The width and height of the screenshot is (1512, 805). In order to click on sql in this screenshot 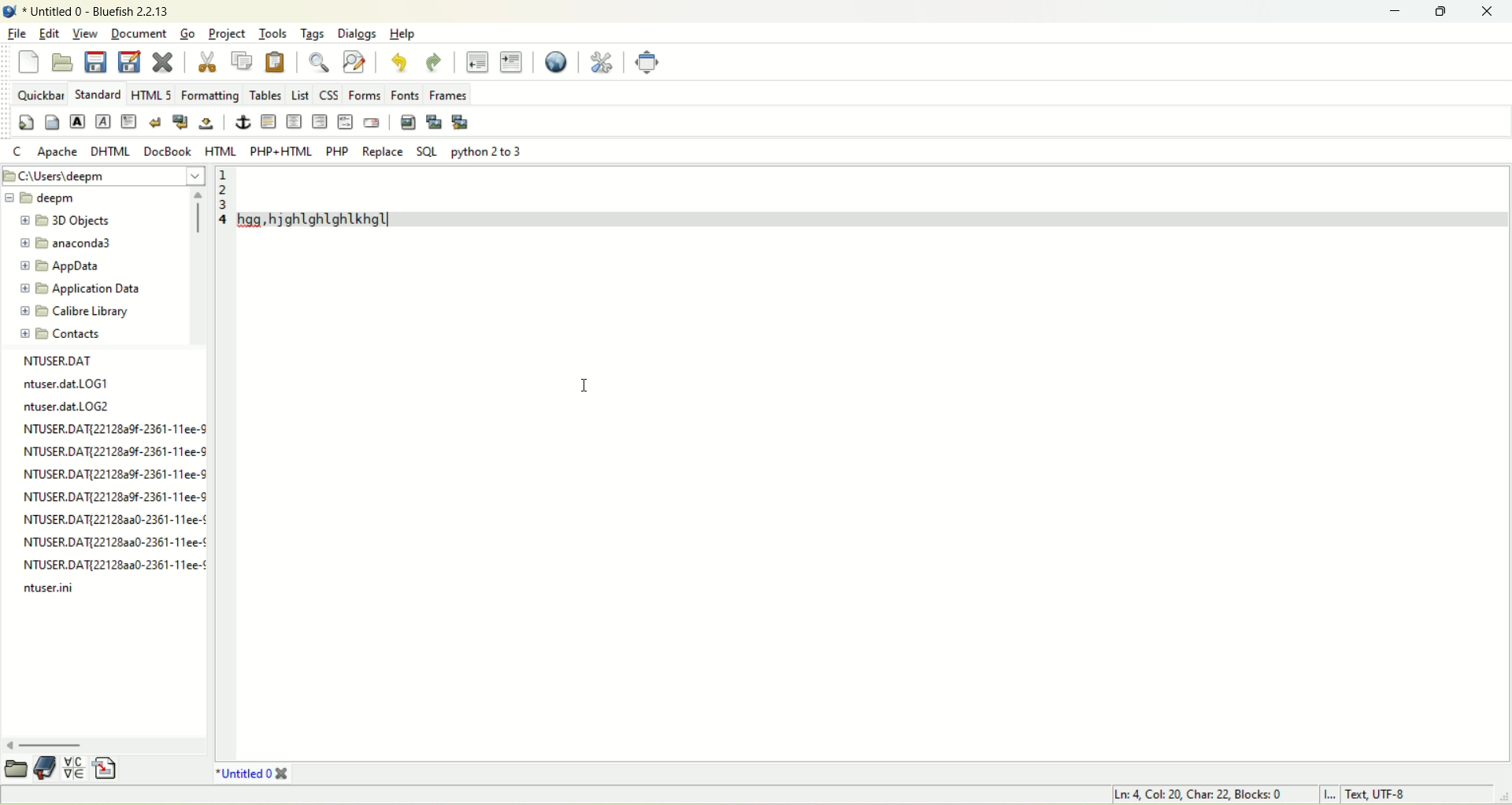, I will do `click(427, 152)`.